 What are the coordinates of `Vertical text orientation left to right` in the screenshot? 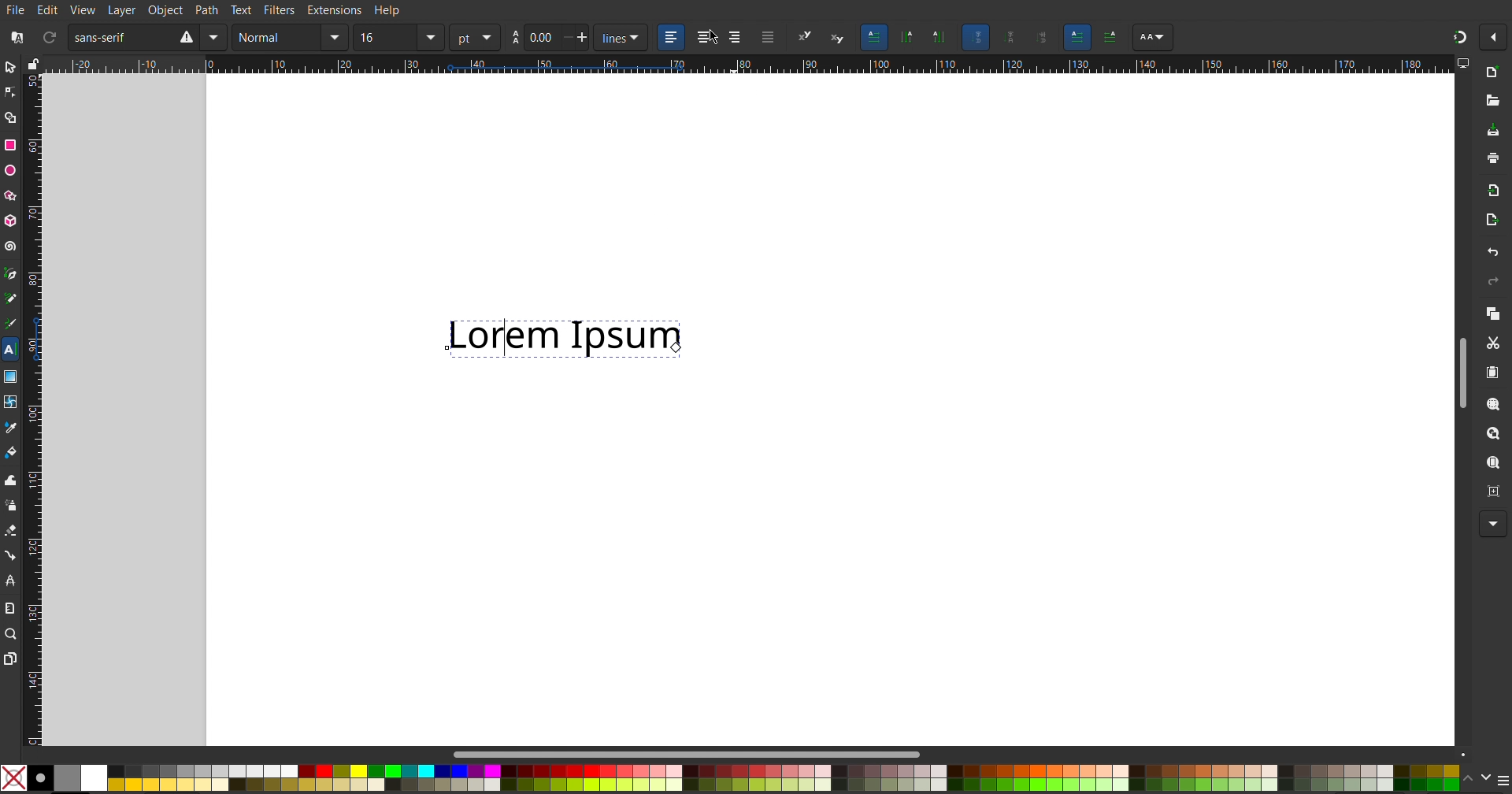 It's located at (937, 38).